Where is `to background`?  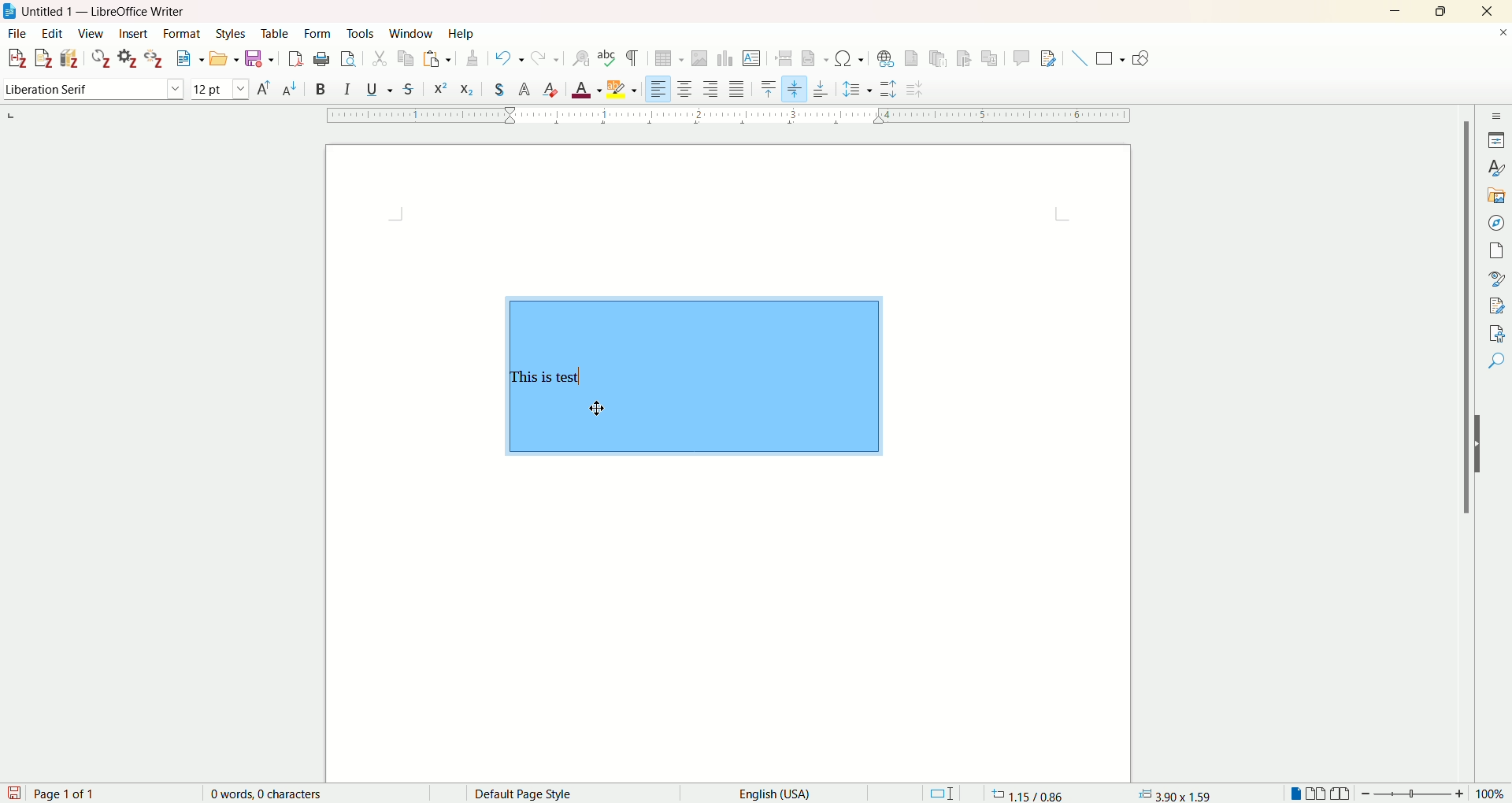
to background is located at coordinates (398, 90).